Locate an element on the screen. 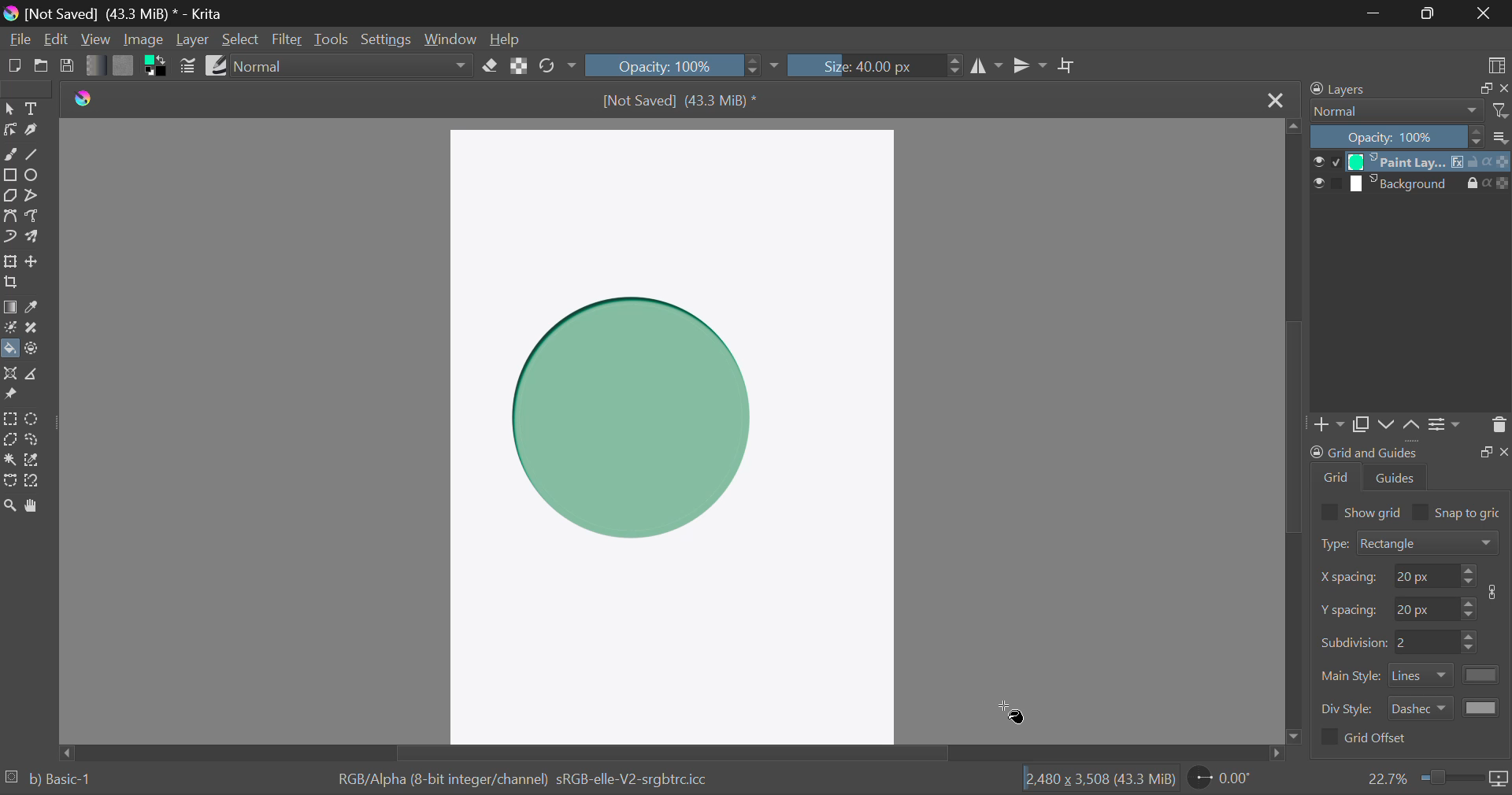  Zoom is located at coordinates (1437, 778).